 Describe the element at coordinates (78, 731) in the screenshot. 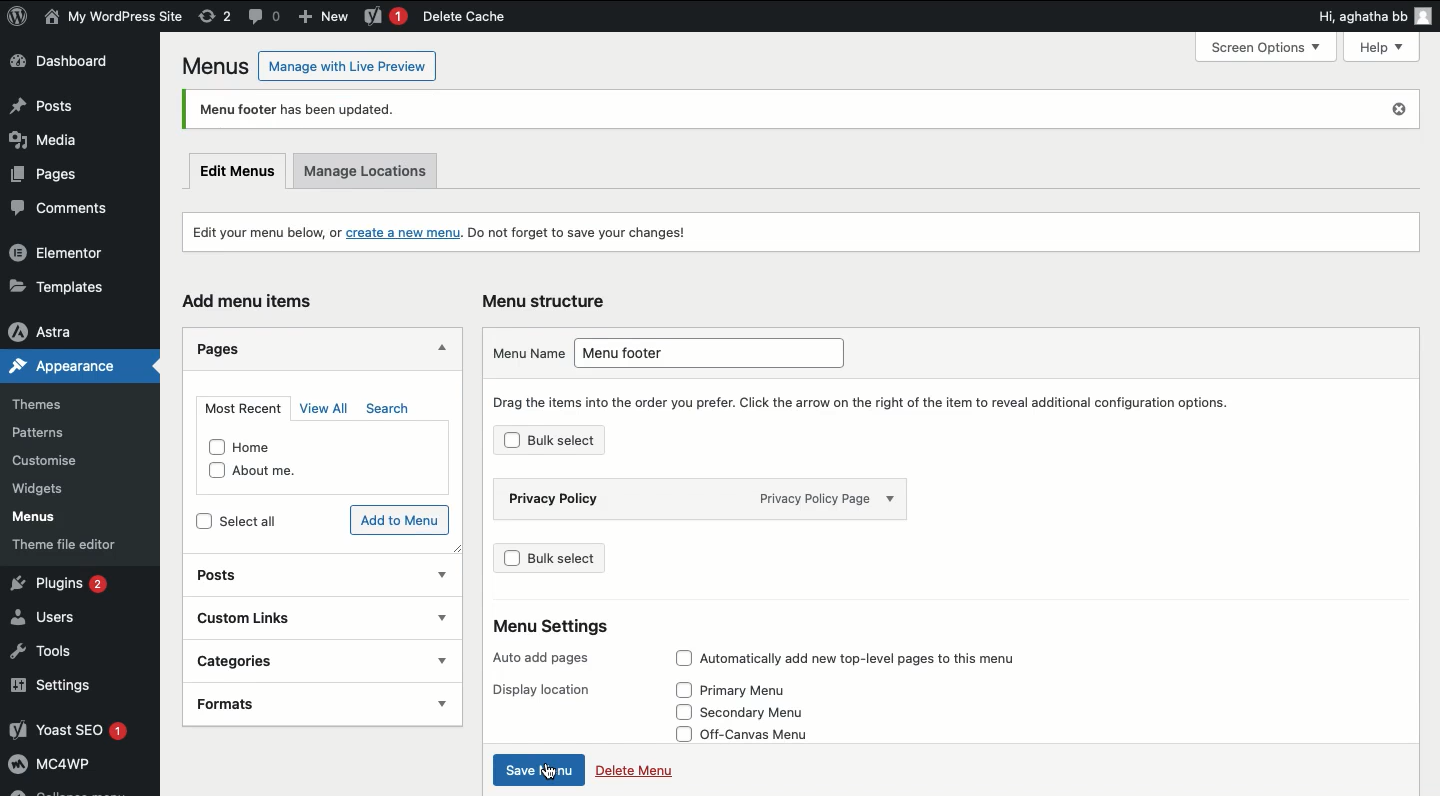

I see ` Yoast SEO ` at that location.